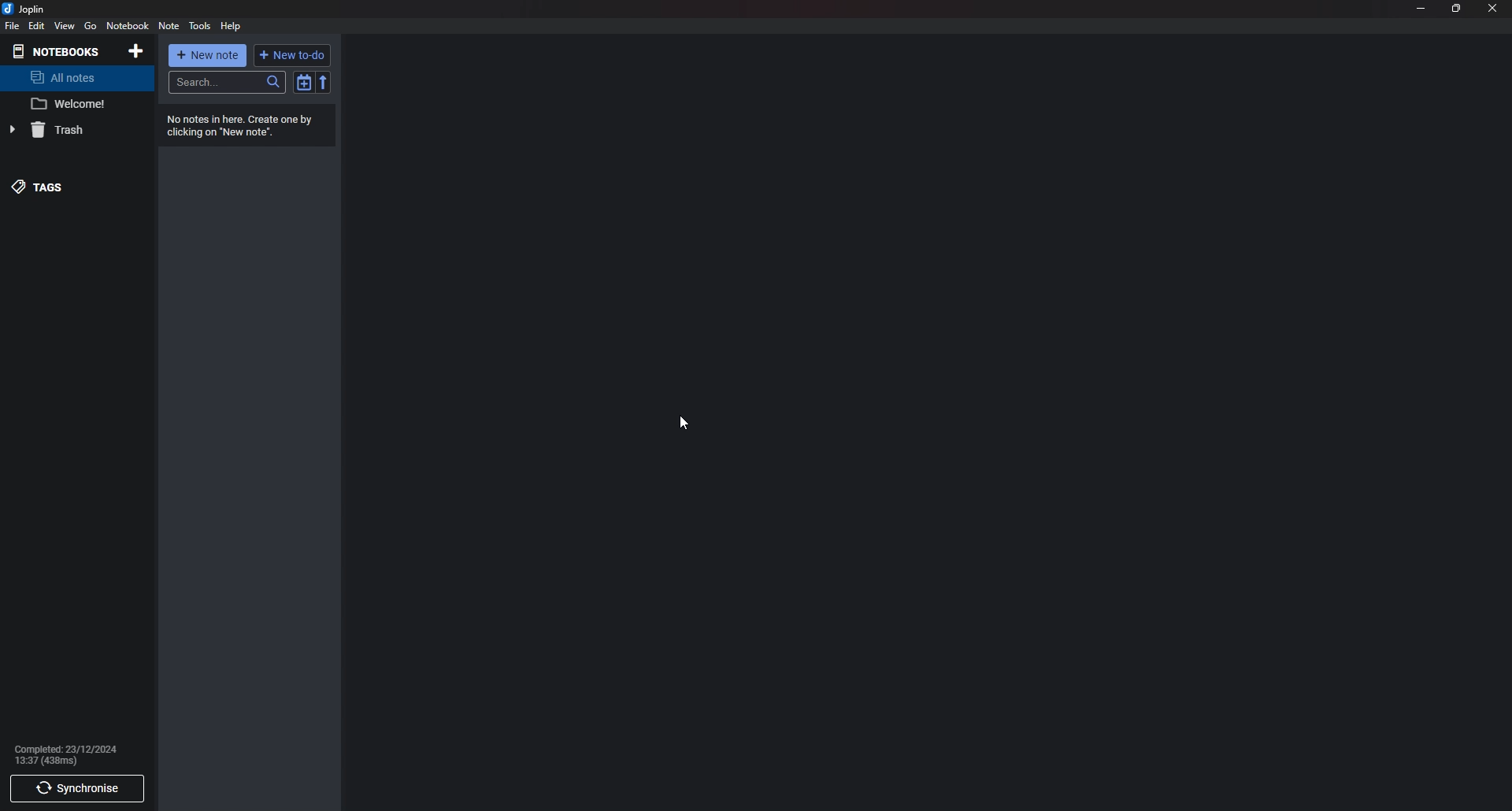 This screenshot has height=811, width=1512. I want to click on edit, so click(38, 26).